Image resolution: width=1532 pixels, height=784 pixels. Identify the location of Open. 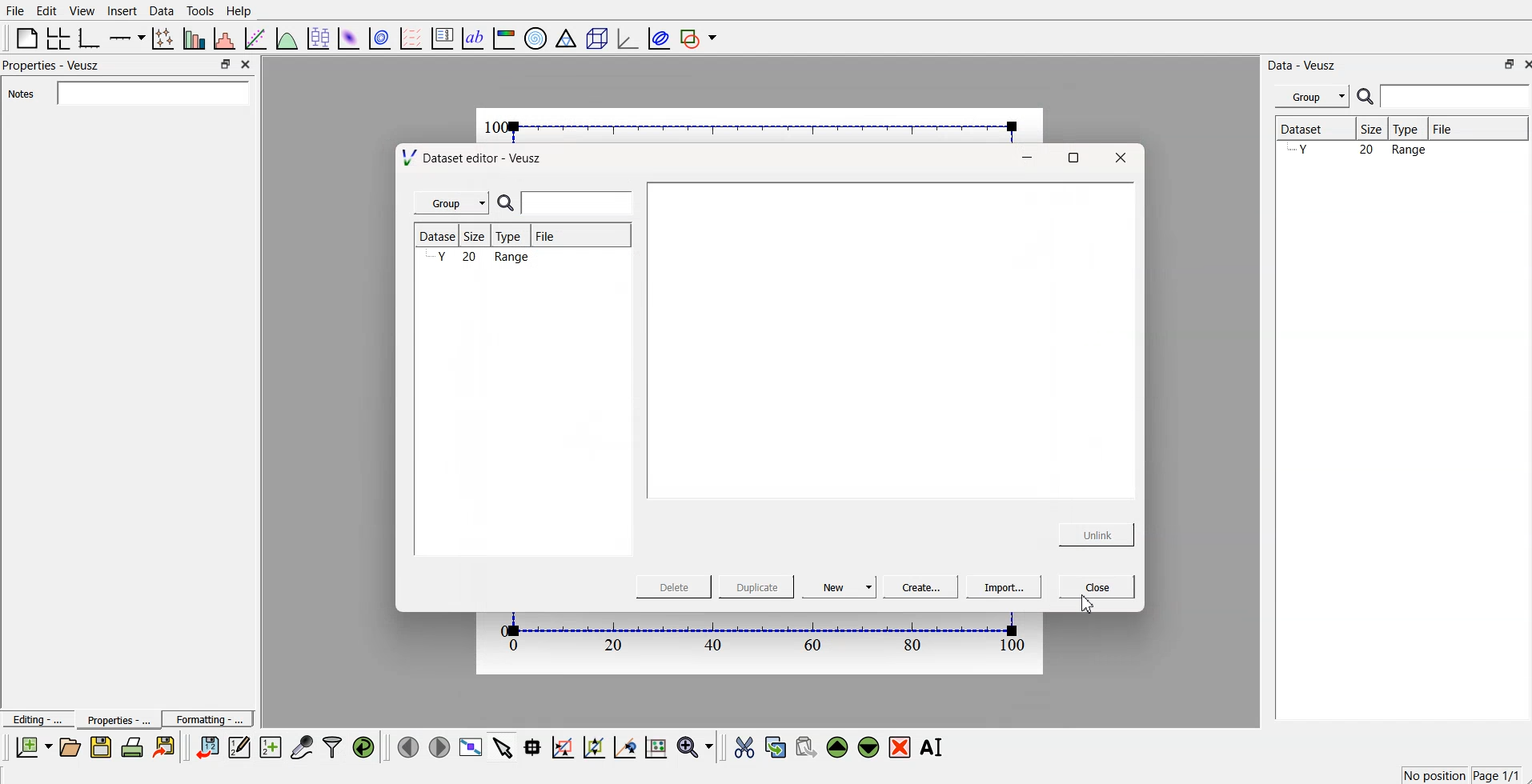
(70, 746).